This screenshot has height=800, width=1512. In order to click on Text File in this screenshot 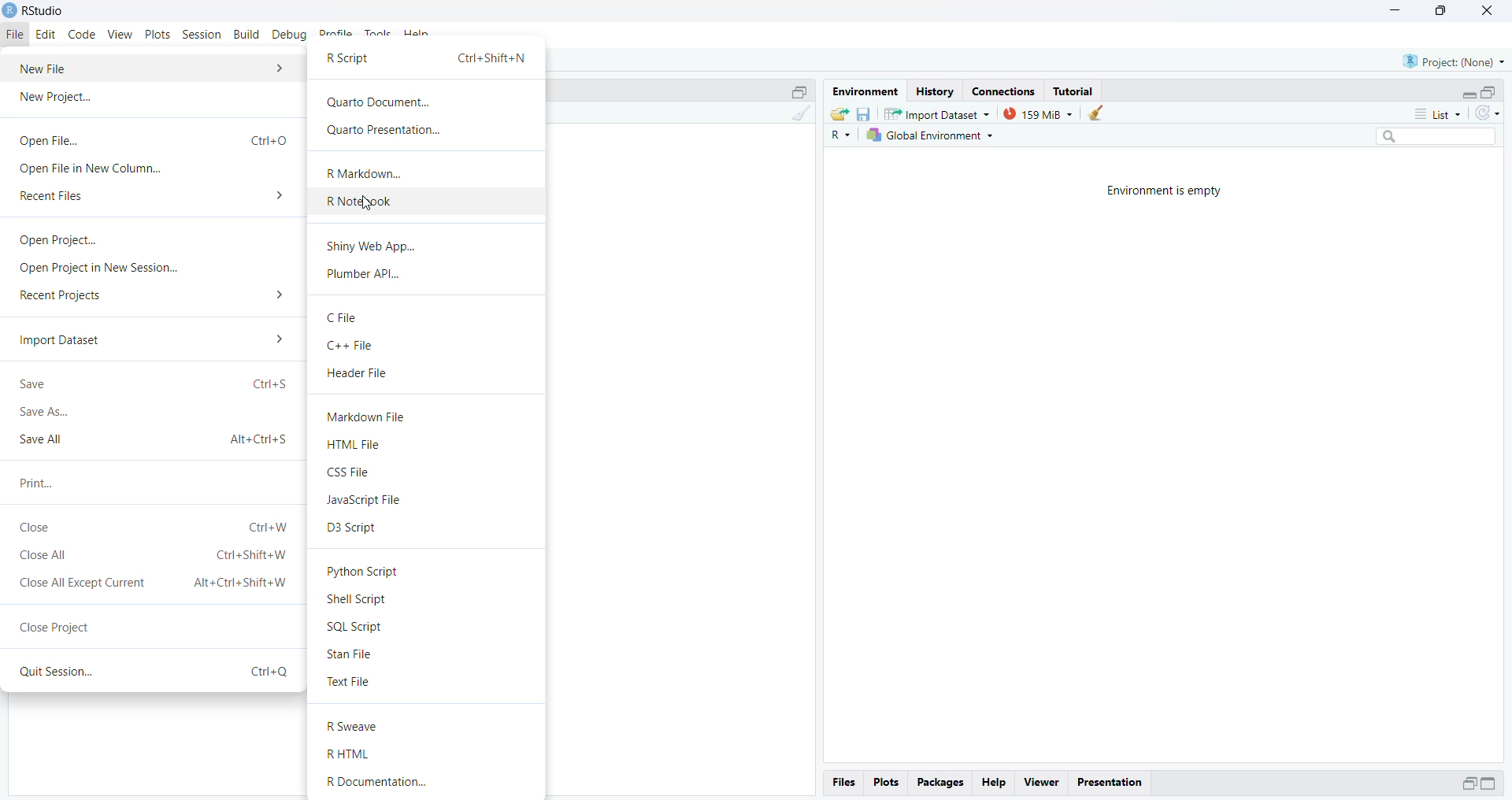, I will do `click(350, 683)`.